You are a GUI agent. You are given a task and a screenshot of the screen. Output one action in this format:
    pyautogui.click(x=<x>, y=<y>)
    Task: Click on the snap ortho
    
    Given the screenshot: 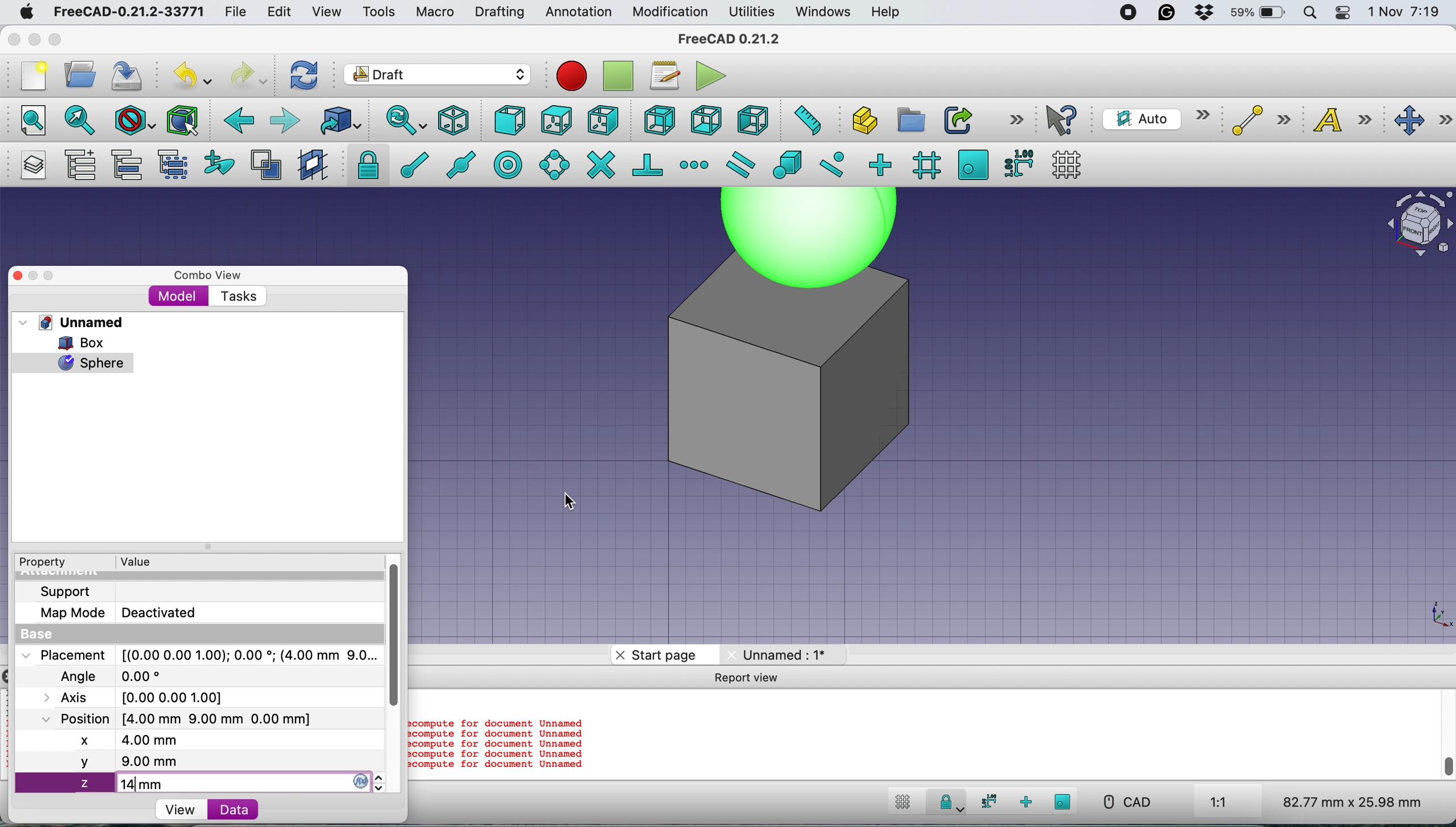 What is the action you would take?
    pyautogui.click(x=879, y=164)
    